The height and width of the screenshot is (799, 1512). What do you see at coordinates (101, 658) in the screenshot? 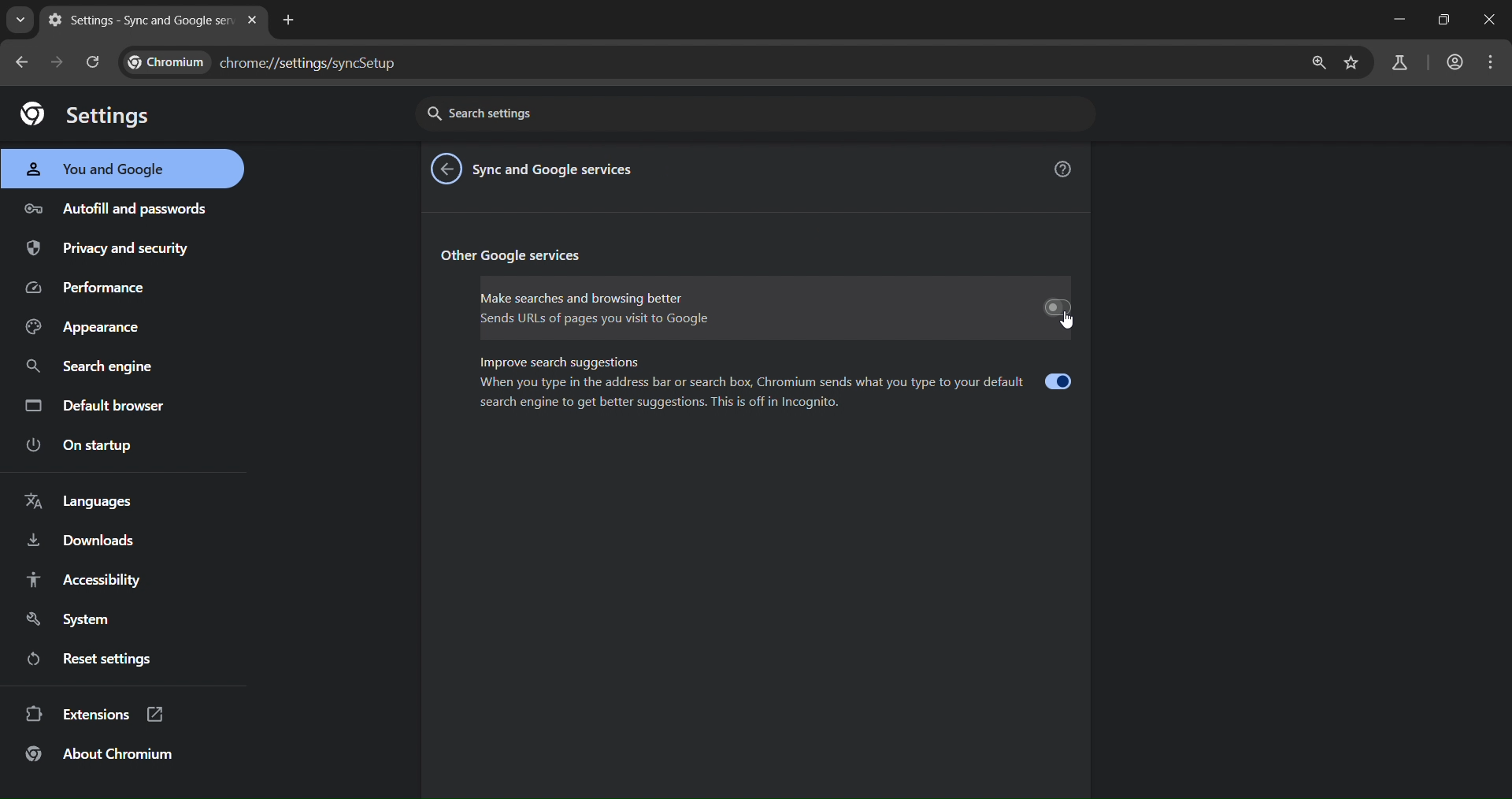
I see `reset settings` at bounding box center [101, 658].